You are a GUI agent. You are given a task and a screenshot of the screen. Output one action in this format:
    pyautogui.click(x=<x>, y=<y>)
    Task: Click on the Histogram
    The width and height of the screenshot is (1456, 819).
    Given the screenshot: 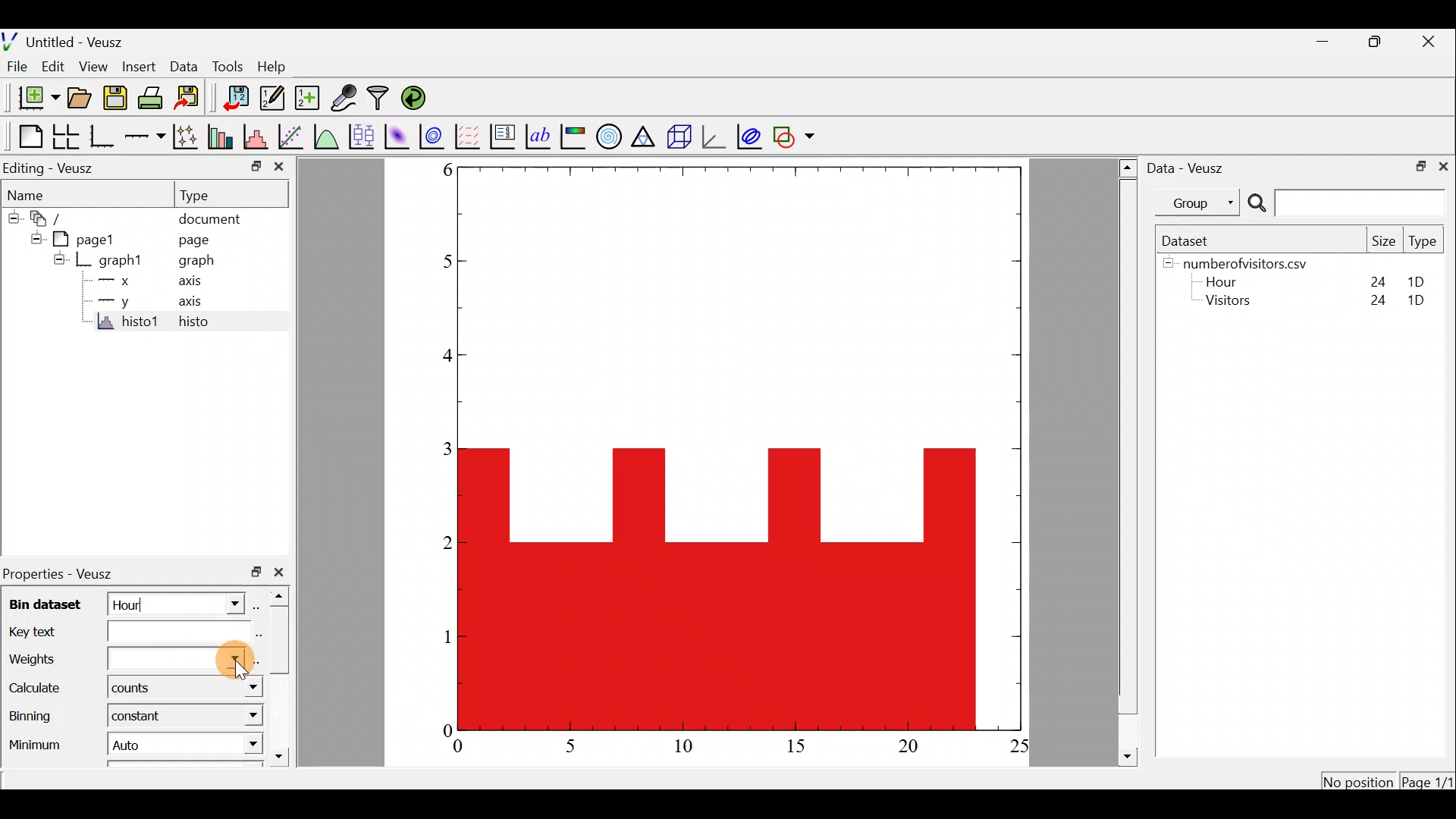 What is the action you would take?
    pyautogui.click(x=733, y=542)
    